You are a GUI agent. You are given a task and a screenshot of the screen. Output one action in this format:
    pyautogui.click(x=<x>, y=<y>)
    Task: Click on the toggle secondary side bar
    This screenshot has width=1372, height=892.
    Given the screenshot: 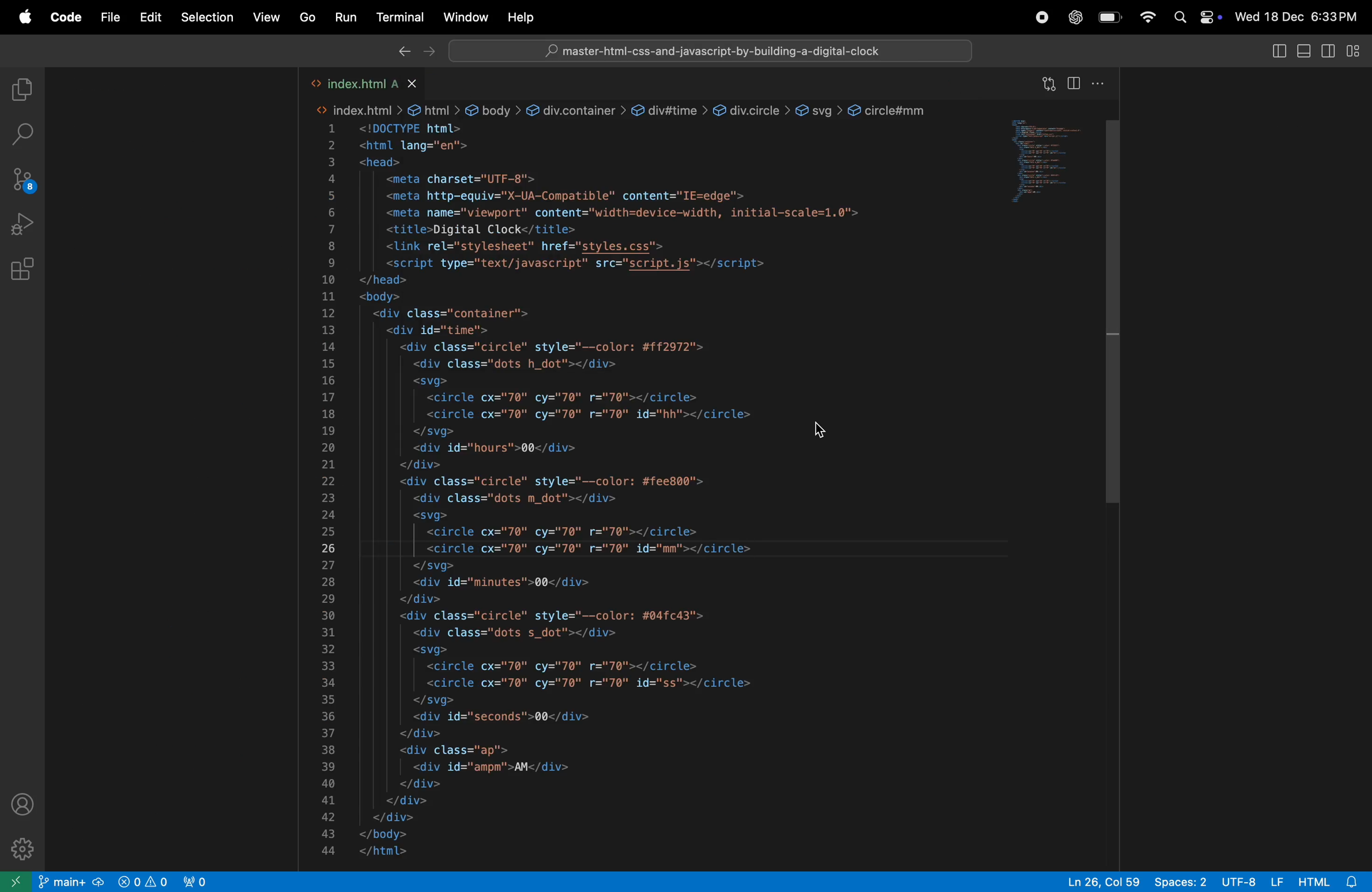 What is the action you would take?
    pyautogui.click(x=1329, y=52)
    